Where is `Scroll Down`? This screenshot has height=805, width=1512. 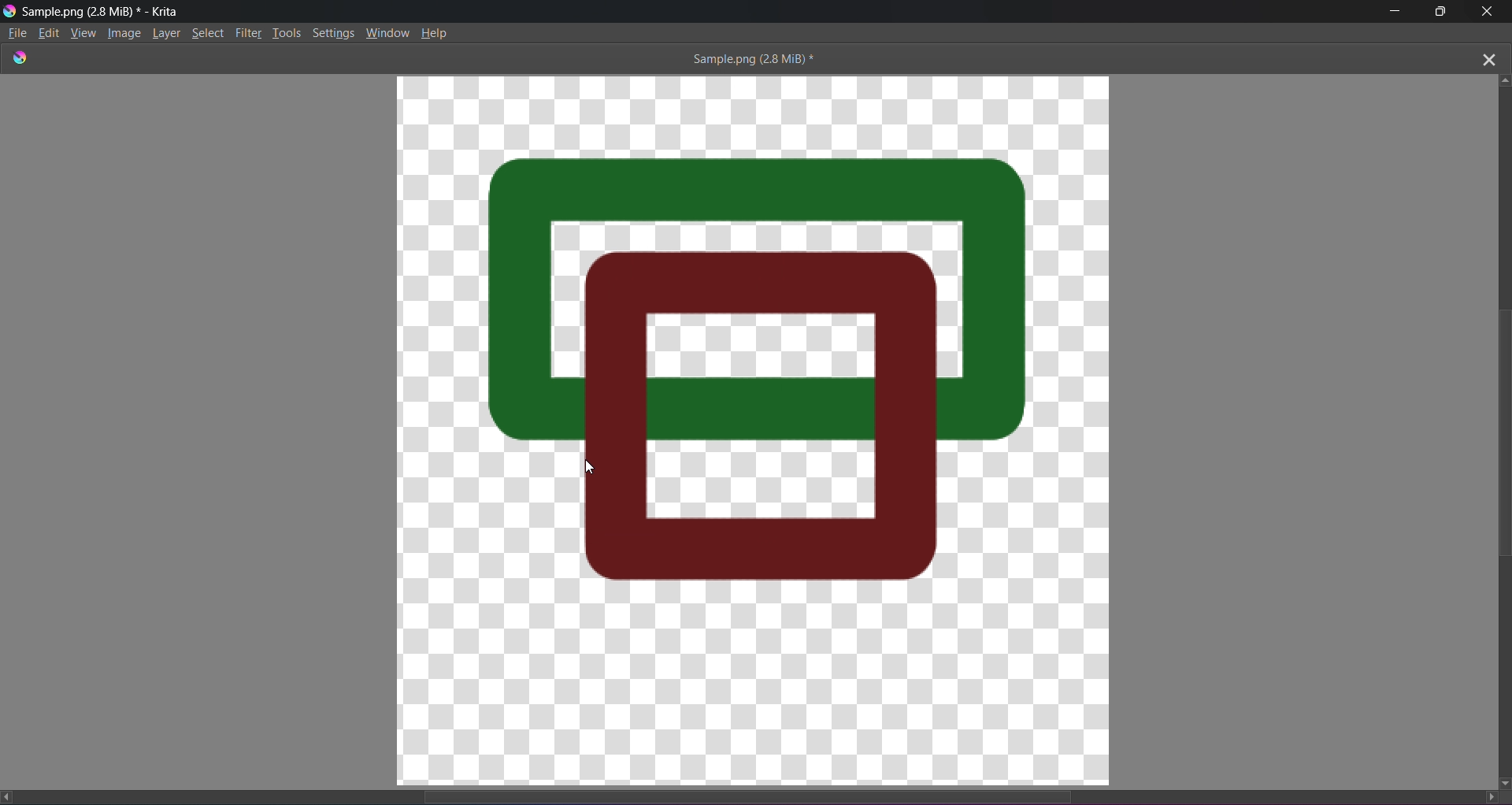
Scroll Down is located at coordinates (1503, 782).